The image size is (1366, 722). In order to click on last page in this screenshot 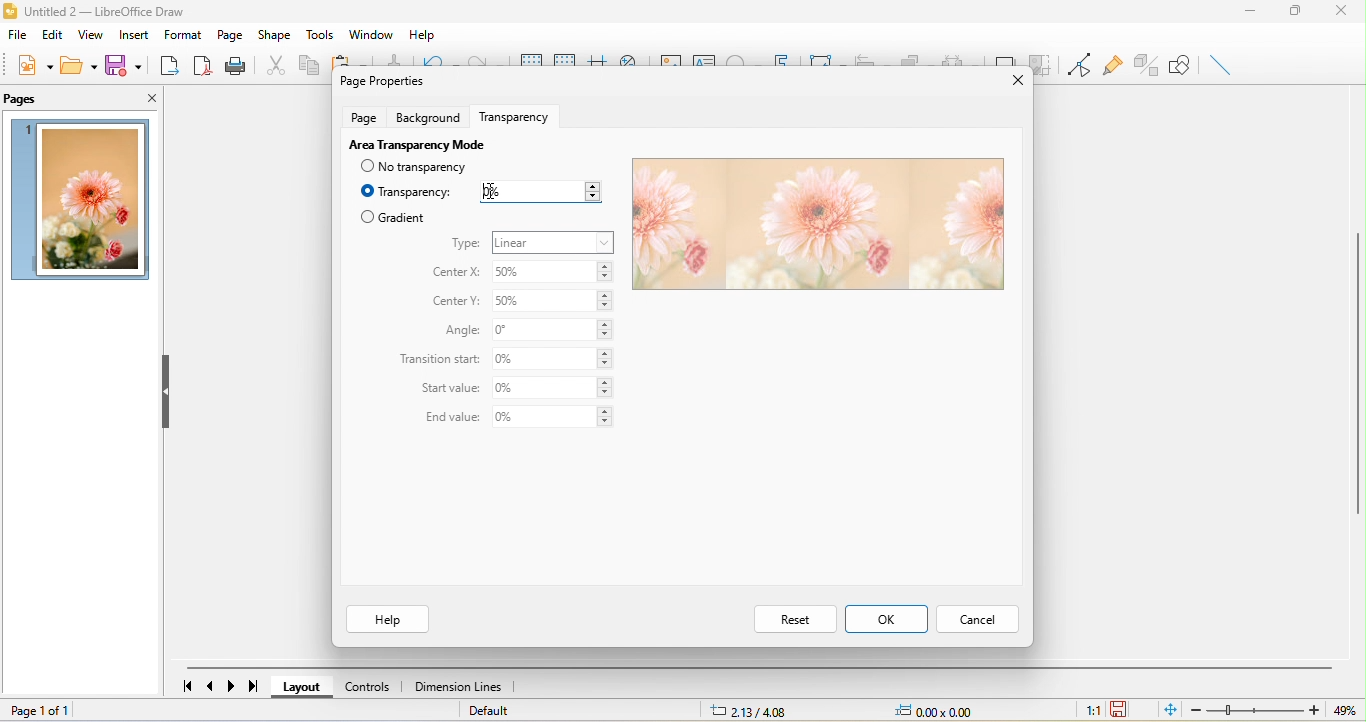, I will do `click(249, 686)`.